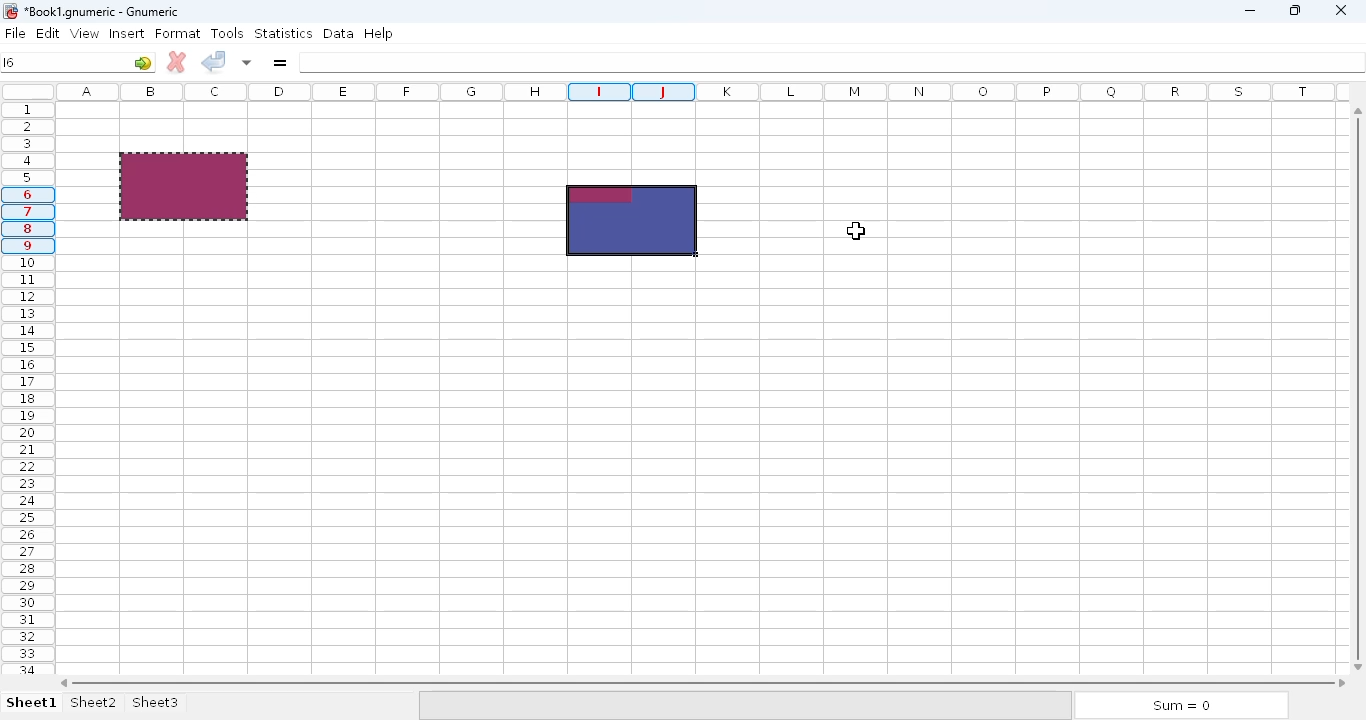 This screenshot has width=1366, height=720. I want to click on enter formula, so click(281, 62).